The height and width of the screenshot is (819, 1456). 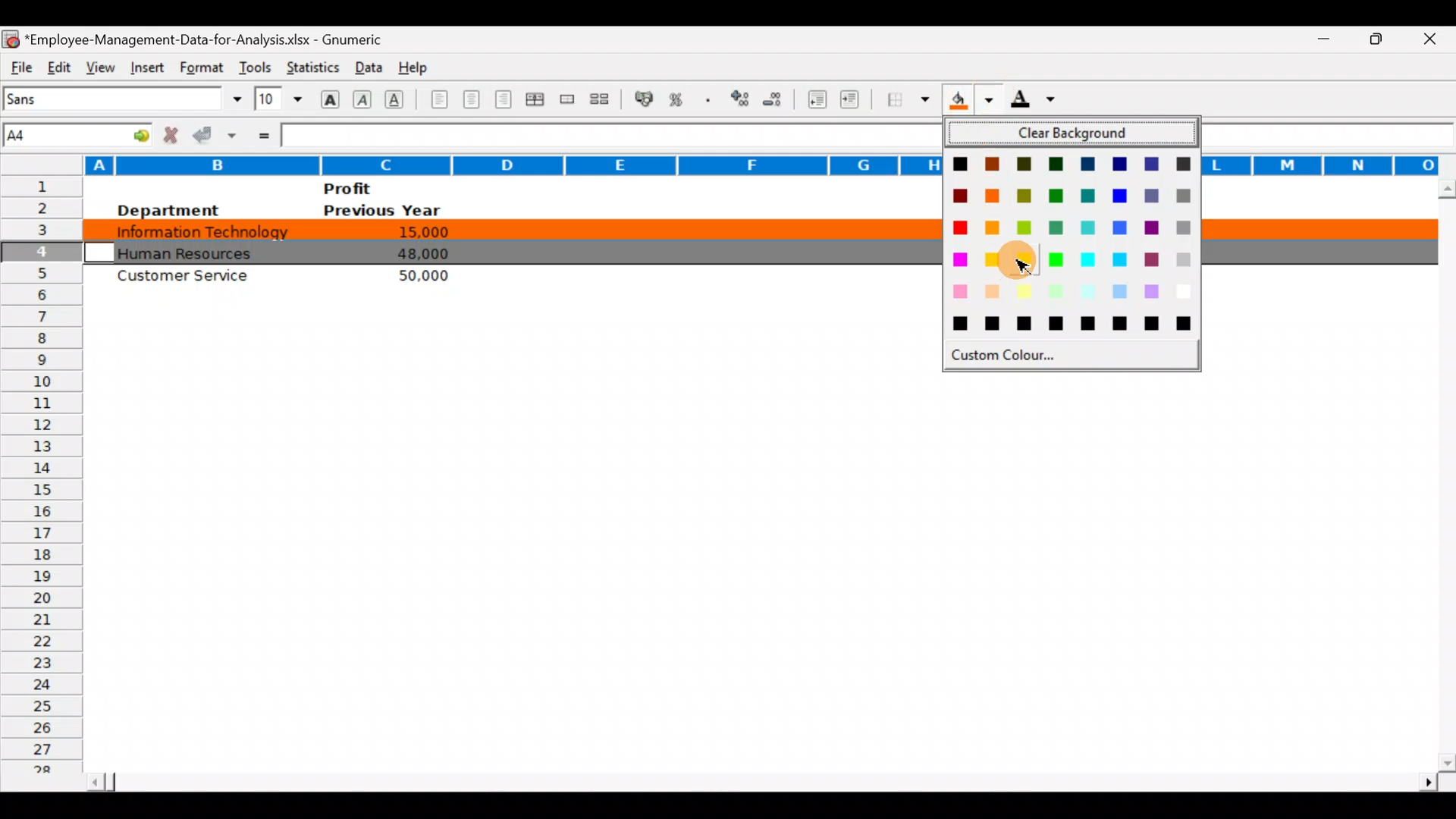 What do you see at coordinates (742, 98) in the screenshot?
I see `Increase decimals` at bounding box center [742, 98].